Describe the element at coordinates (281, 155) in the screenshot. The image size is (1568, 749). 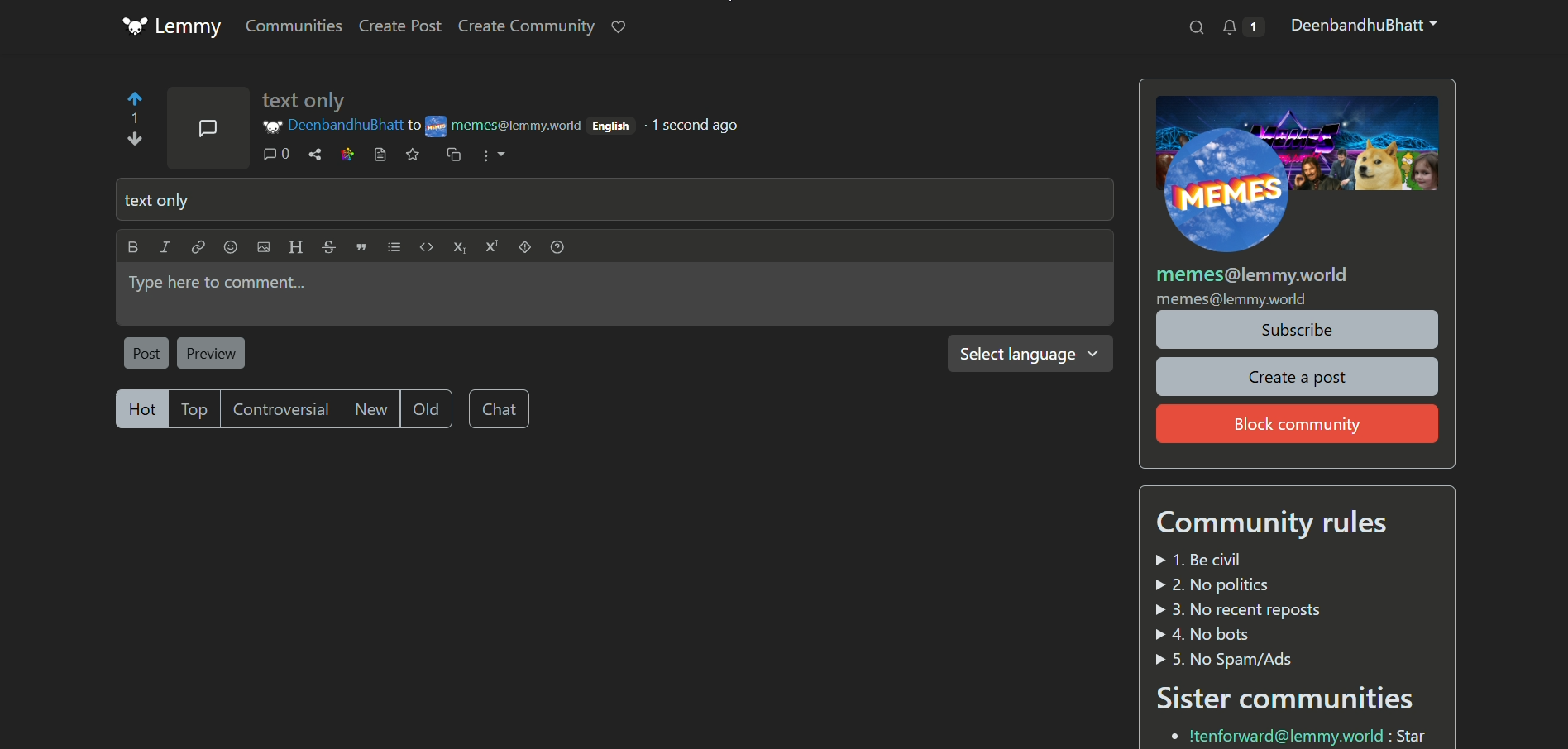
I see `comments` at that location.